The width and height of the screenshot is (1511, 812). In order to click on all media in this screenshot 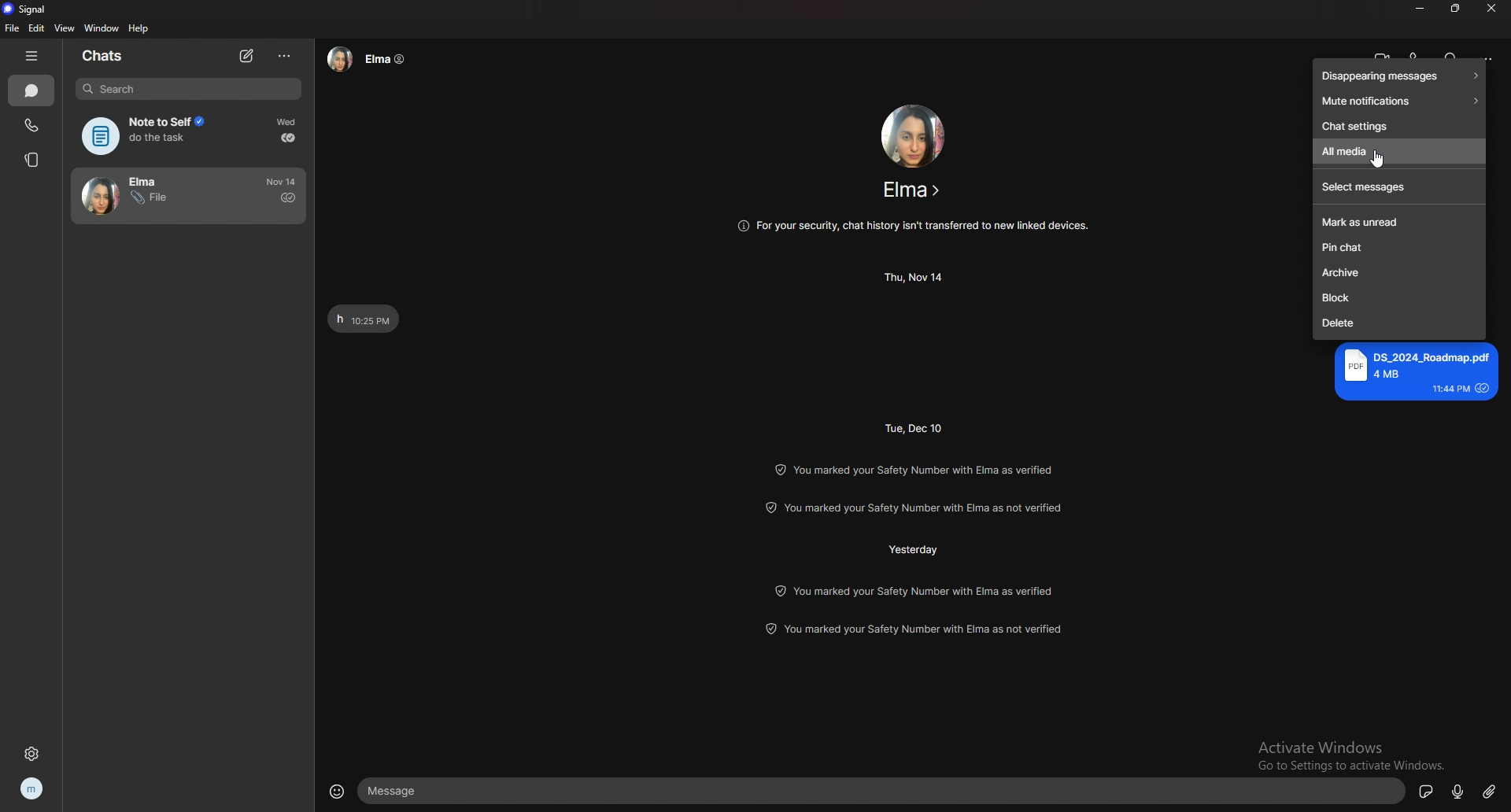, I will do `click(1398, 152)`.